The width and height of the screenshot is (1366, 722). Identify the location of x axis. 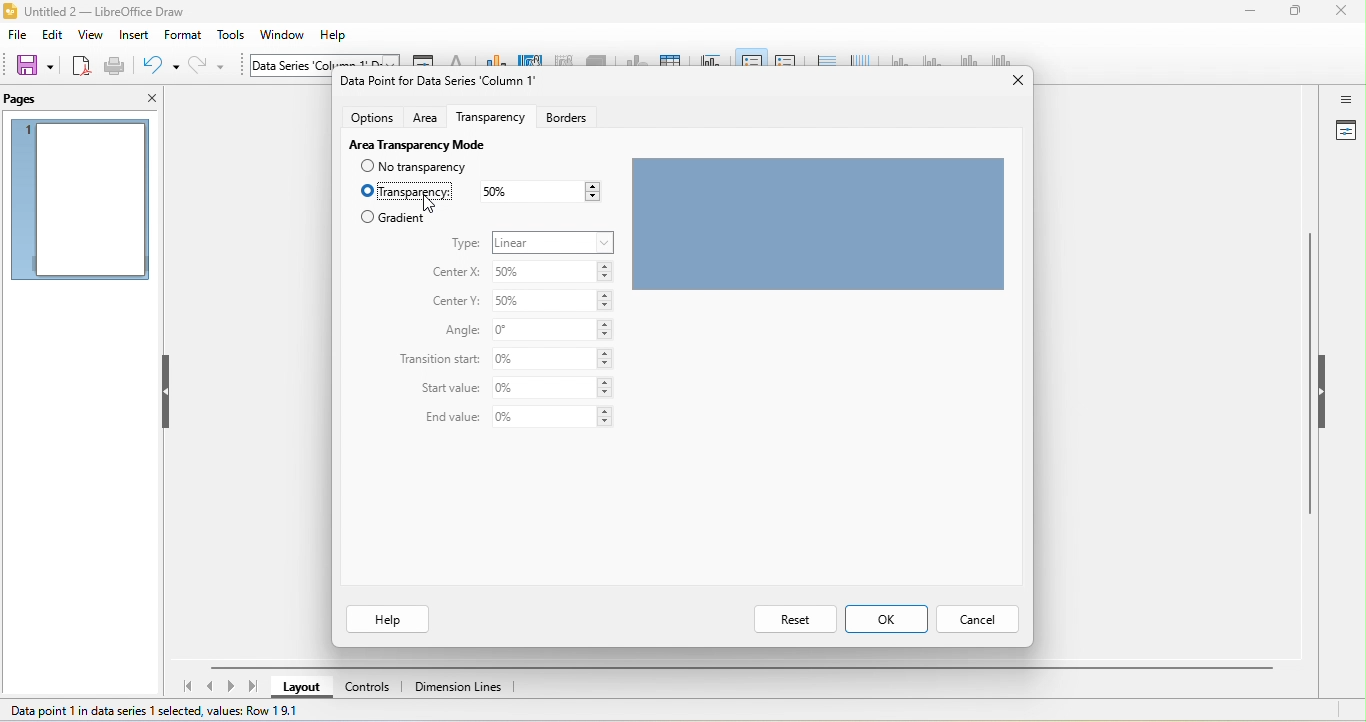
(899, 59).